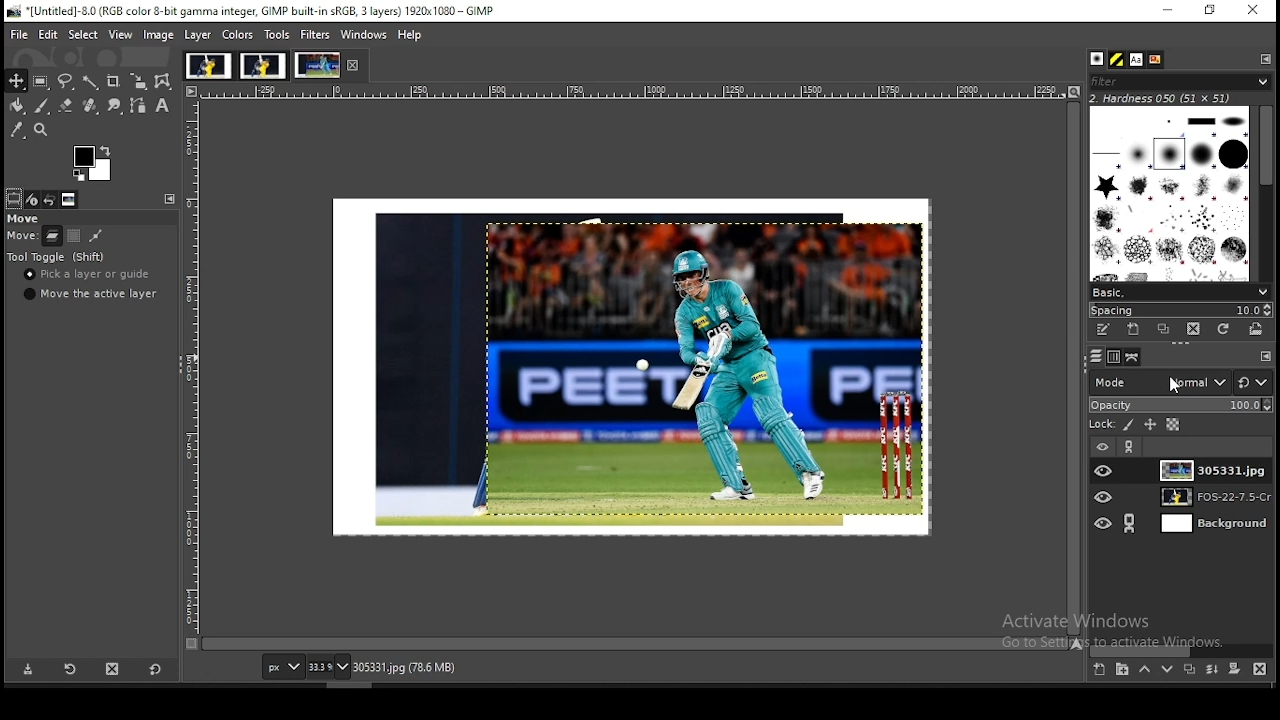 This screenshot has width=1280, height=720. I want to click on text tool, so click(162, 105).